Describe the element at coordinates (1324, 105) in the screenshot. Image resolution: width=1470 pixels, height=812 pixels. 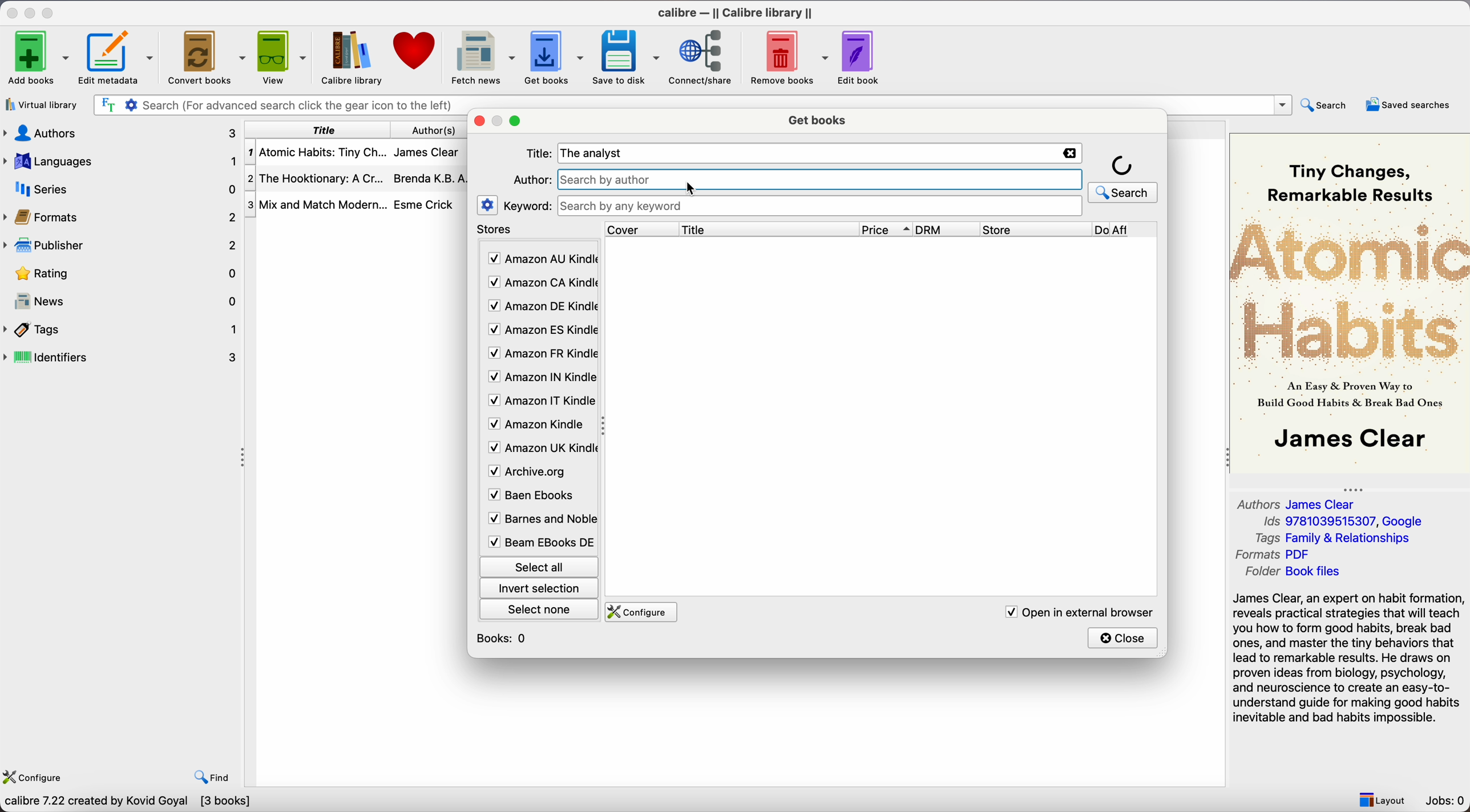
I see `search` at that location.